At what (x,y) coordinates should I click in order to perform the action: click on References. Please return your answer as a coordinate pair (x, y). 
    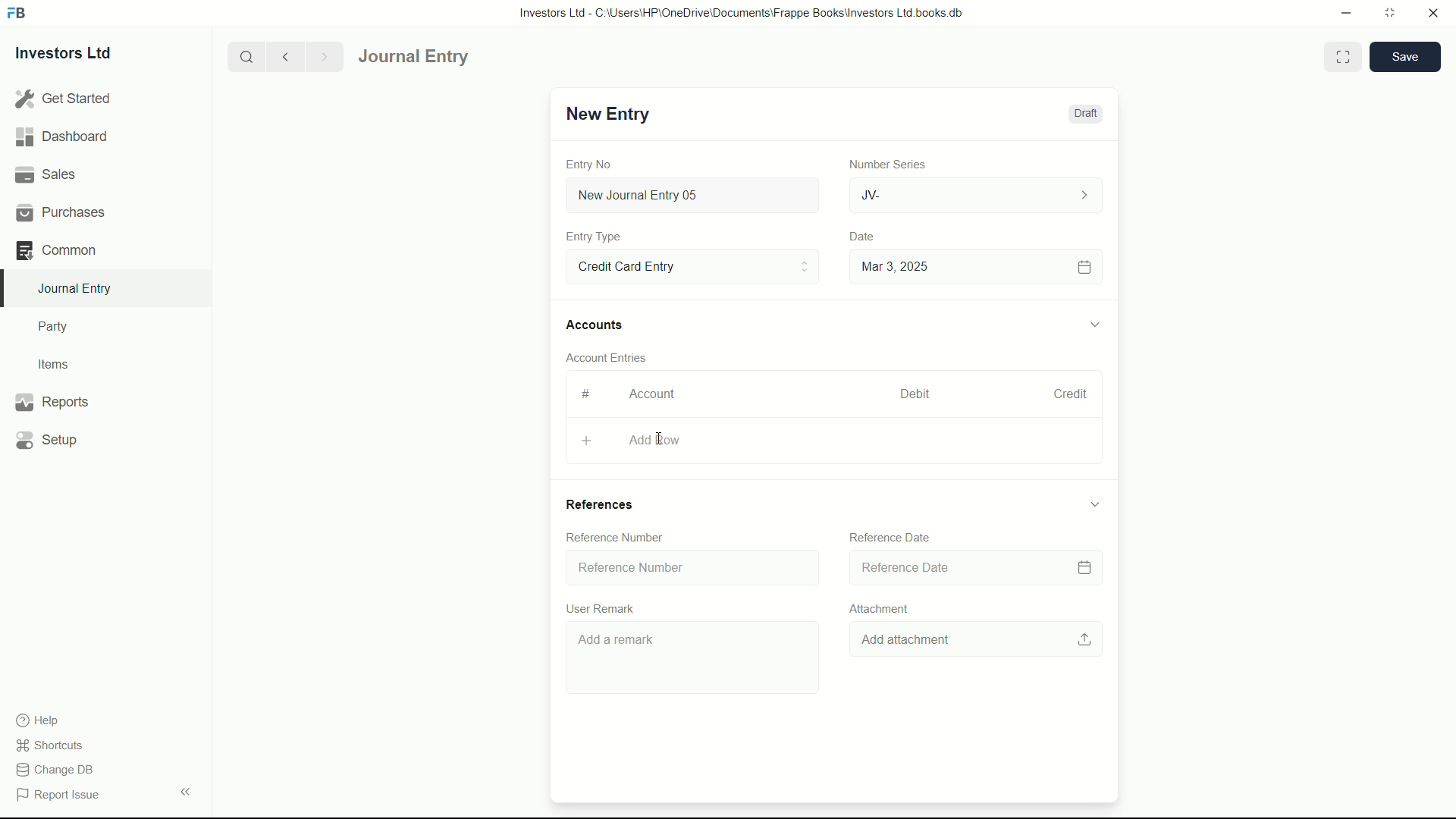
    Looking at the image, I should click on (601, 505).